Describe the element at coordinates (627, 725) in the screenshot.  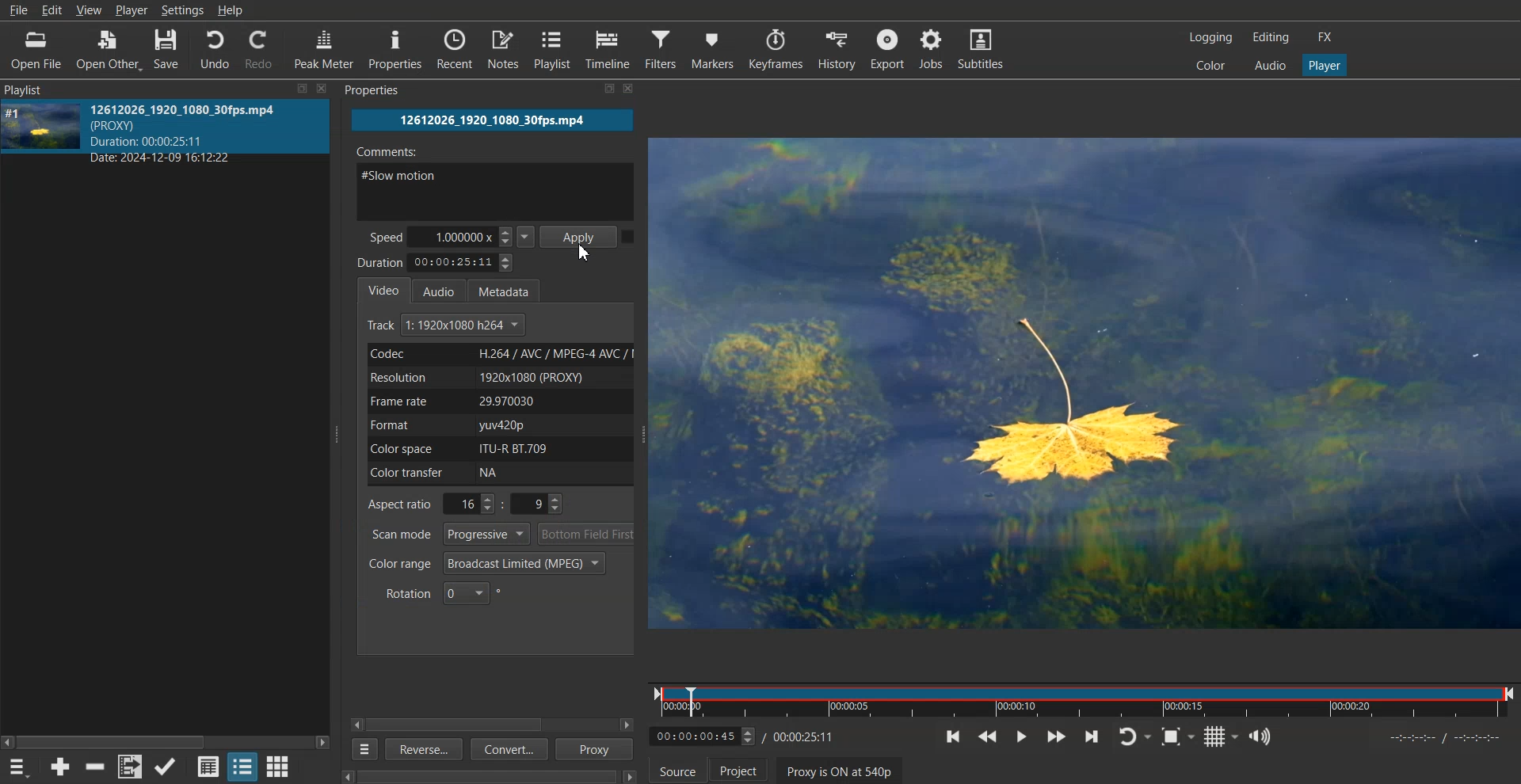
I see `Scroll Right` at that location.